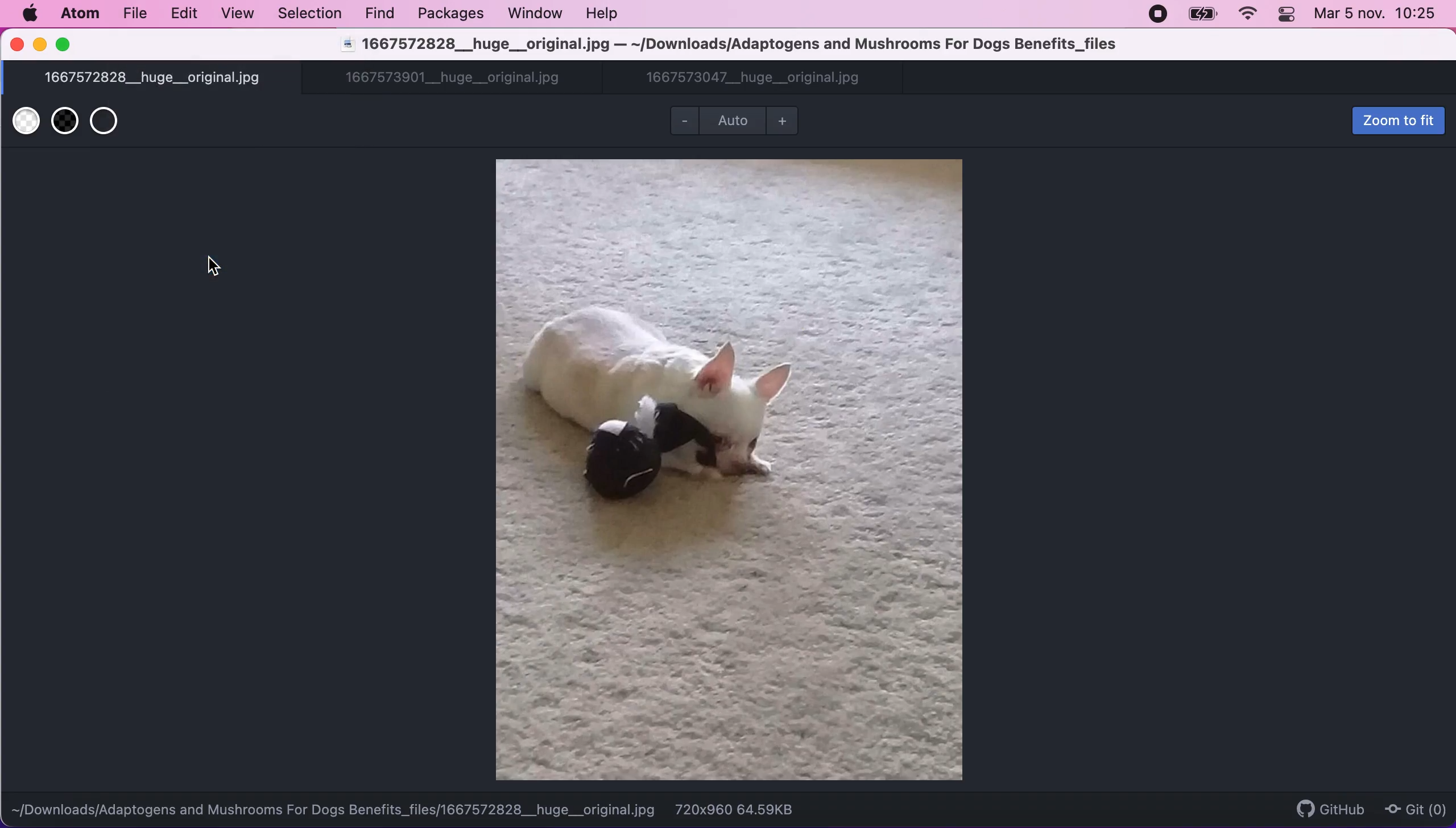 This screenshot has width=1456, height=828. What do you see at coordinates (65, 125) in the screenshot?
I see `use back transparent background` at bounding box center [65, 125].